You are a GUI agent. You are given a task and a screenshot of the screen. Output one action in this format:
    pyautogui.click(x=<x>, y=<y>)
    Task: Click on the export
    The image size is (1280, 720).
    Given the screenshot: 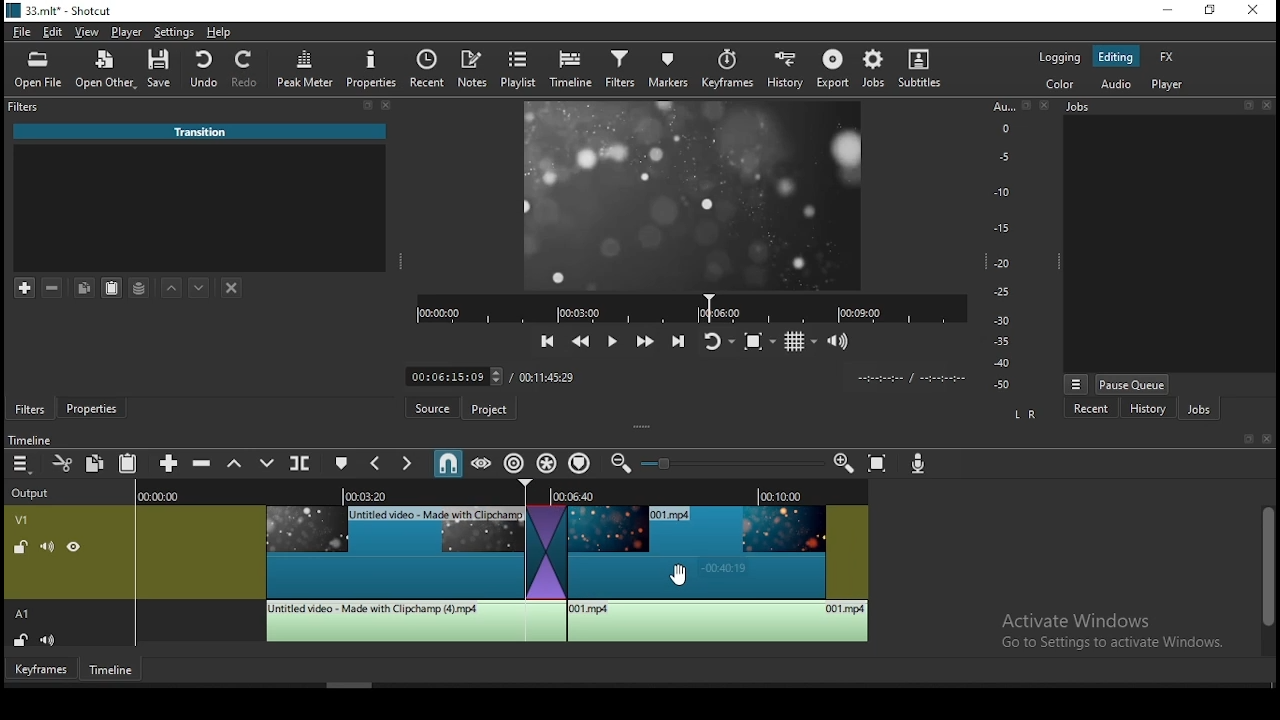 What is the action you would take?
    pyautogui.click(x=835, y=69)
    